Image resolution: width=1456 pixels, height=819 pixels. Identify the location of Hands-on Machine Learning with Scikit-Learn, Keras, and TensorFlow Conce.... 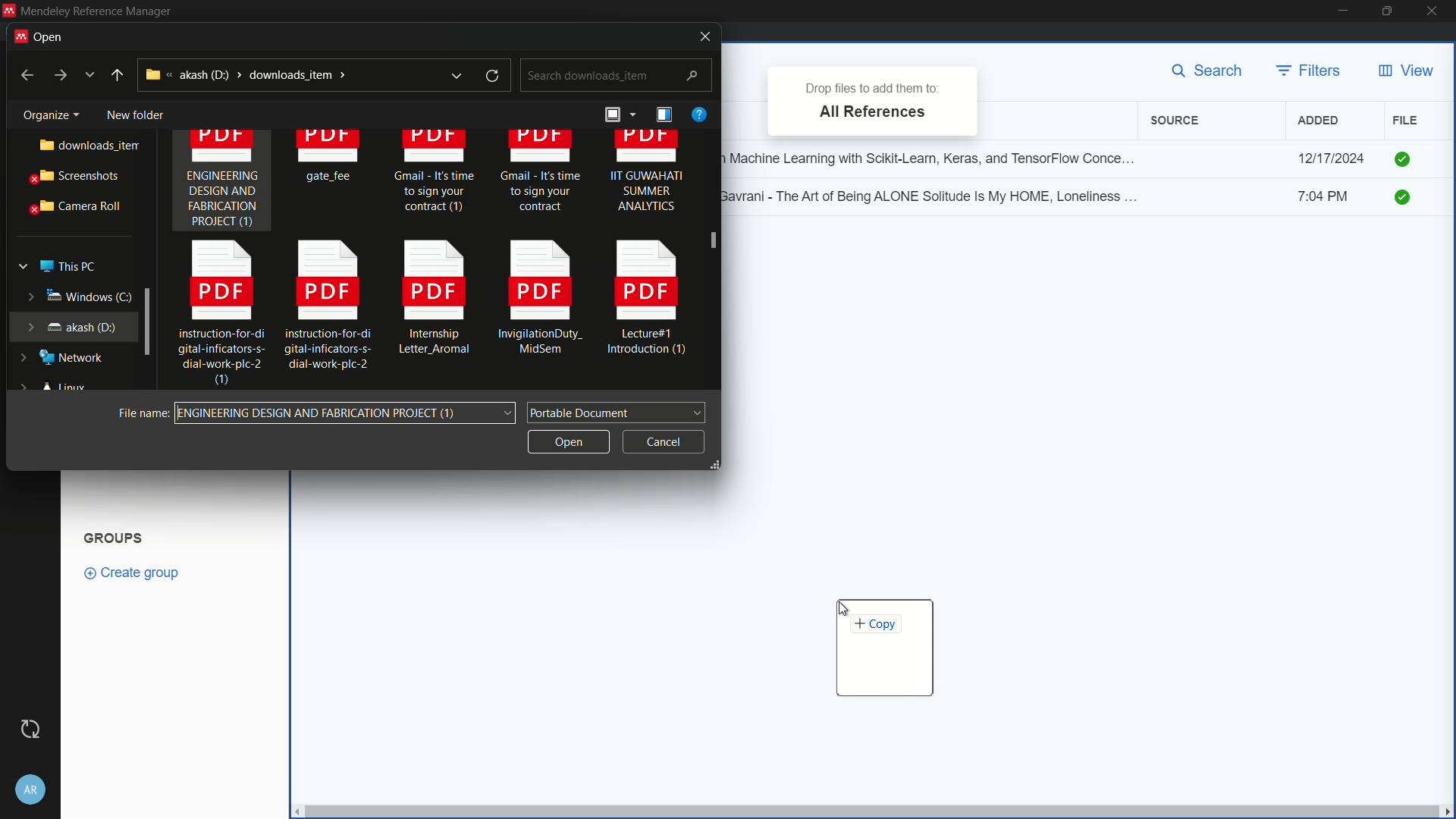
(937, 155).